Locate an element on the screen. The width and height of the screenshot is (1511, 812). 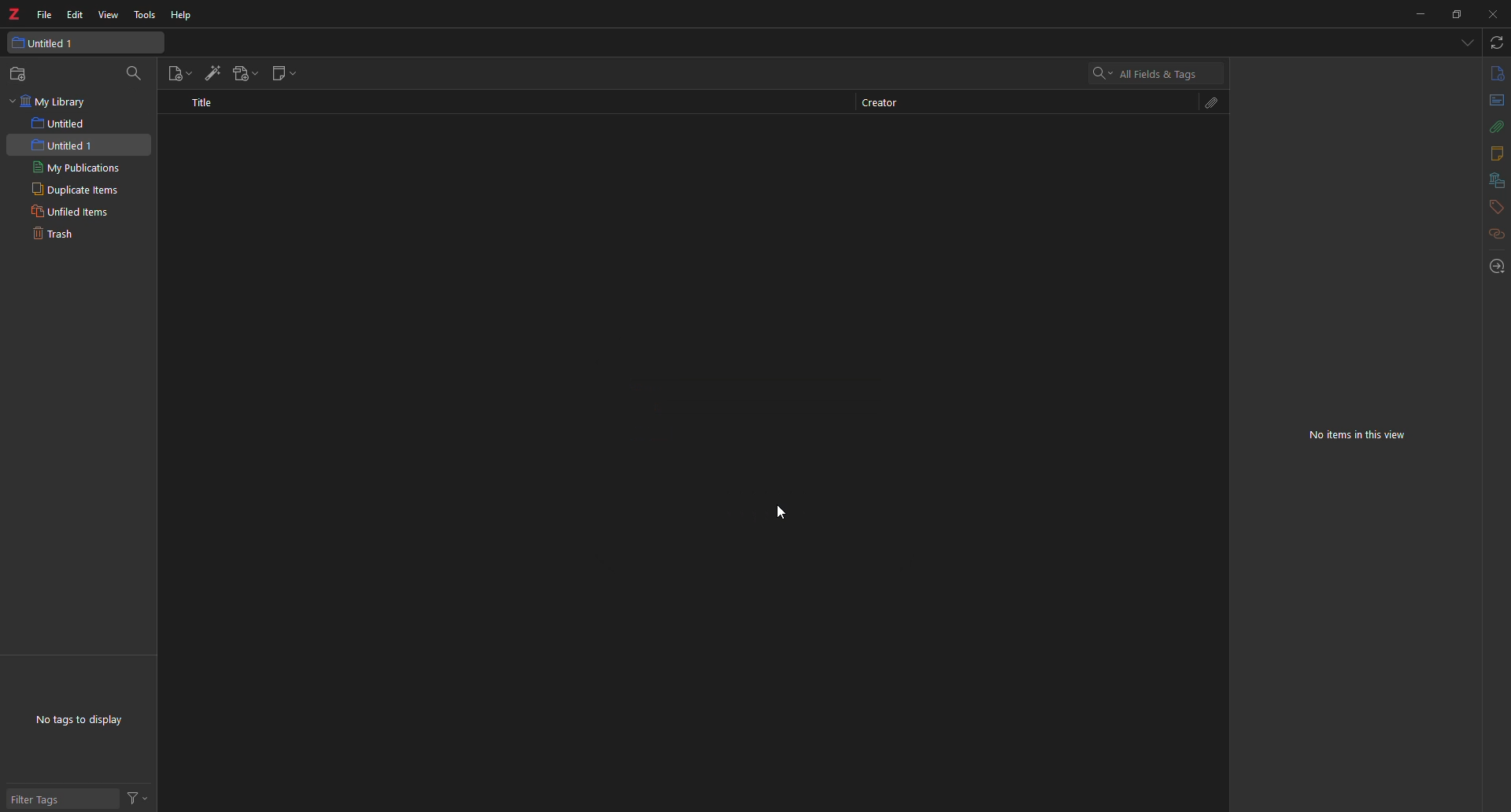
Trash is located at coordinates (56, 233).